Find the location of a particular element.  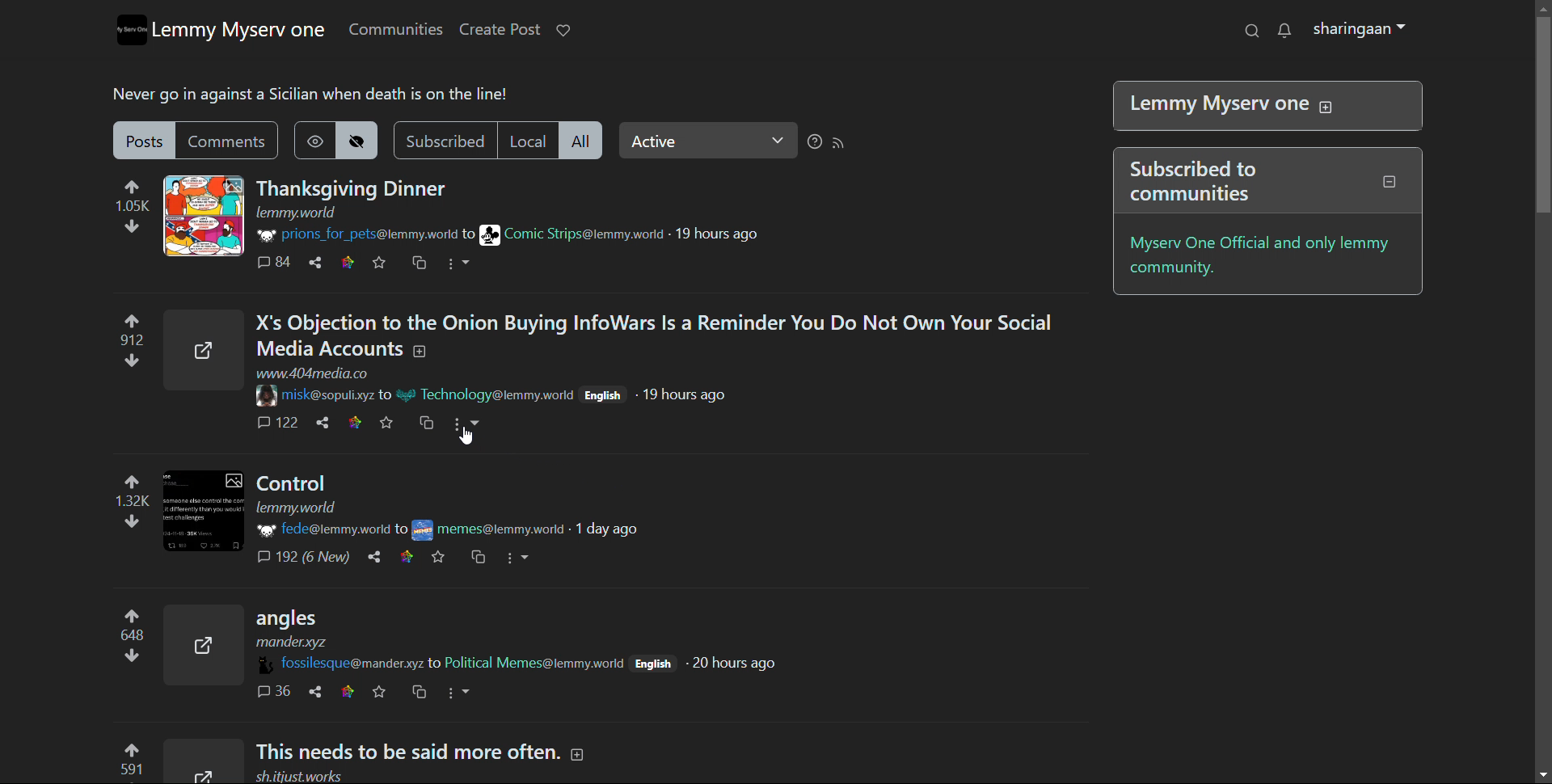

link is located at coordinates (351, 424).